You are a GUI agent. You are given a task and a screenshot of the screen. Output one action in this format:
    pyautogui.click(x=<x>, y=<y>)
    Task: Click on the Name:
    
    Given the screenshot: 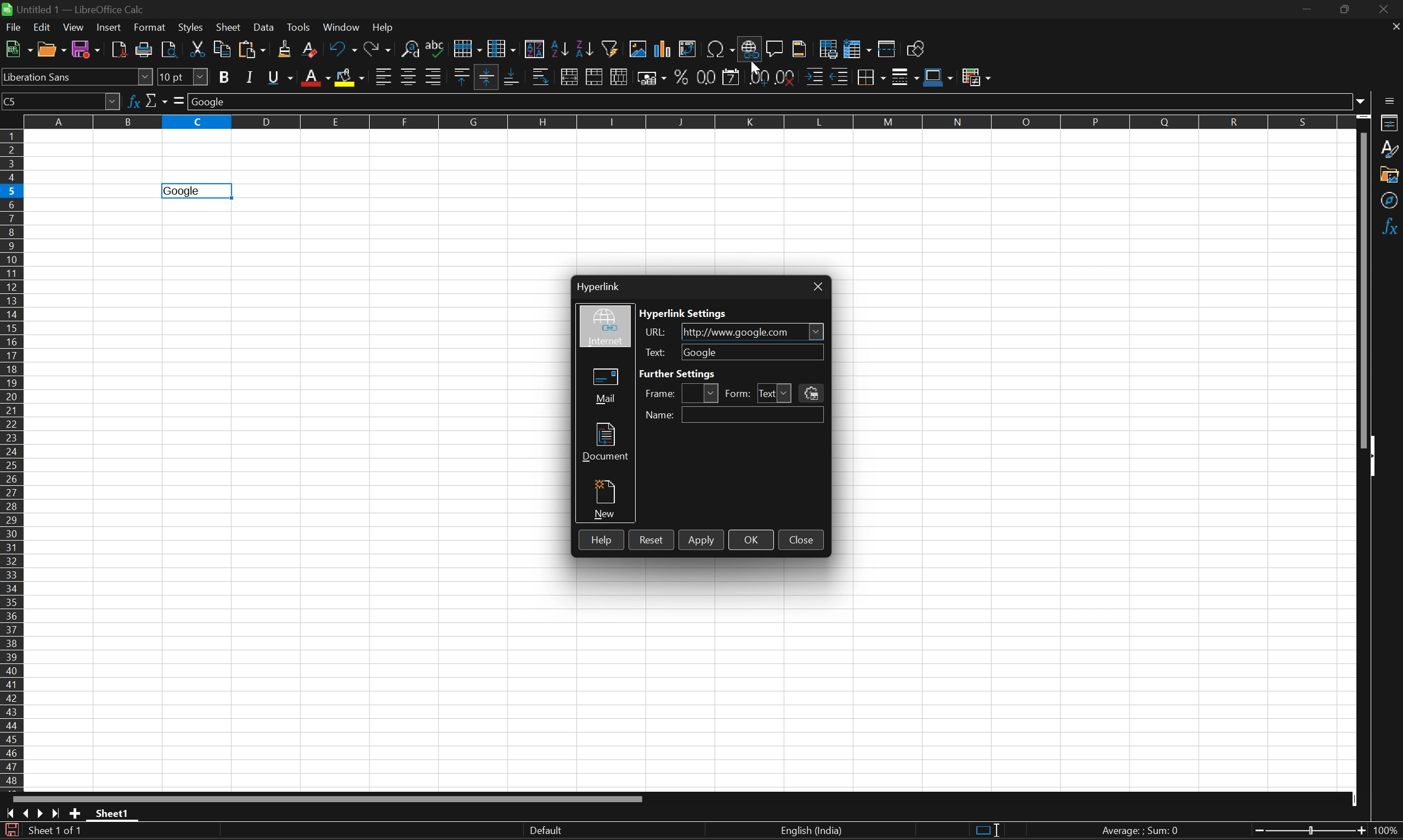 What is the action you would take?
    pyautogui.click(x=664, y=416)
    